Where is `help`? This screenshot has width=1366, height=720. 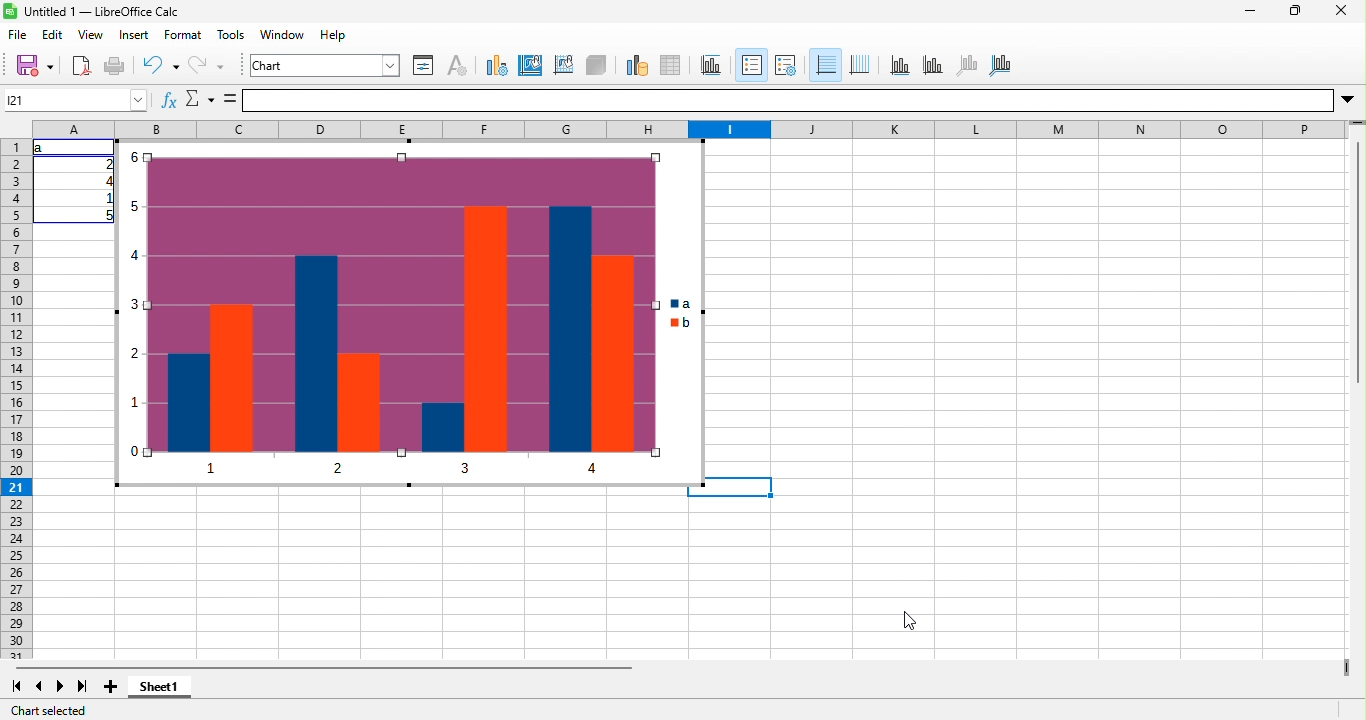
help is located at coordinates (333, 34).